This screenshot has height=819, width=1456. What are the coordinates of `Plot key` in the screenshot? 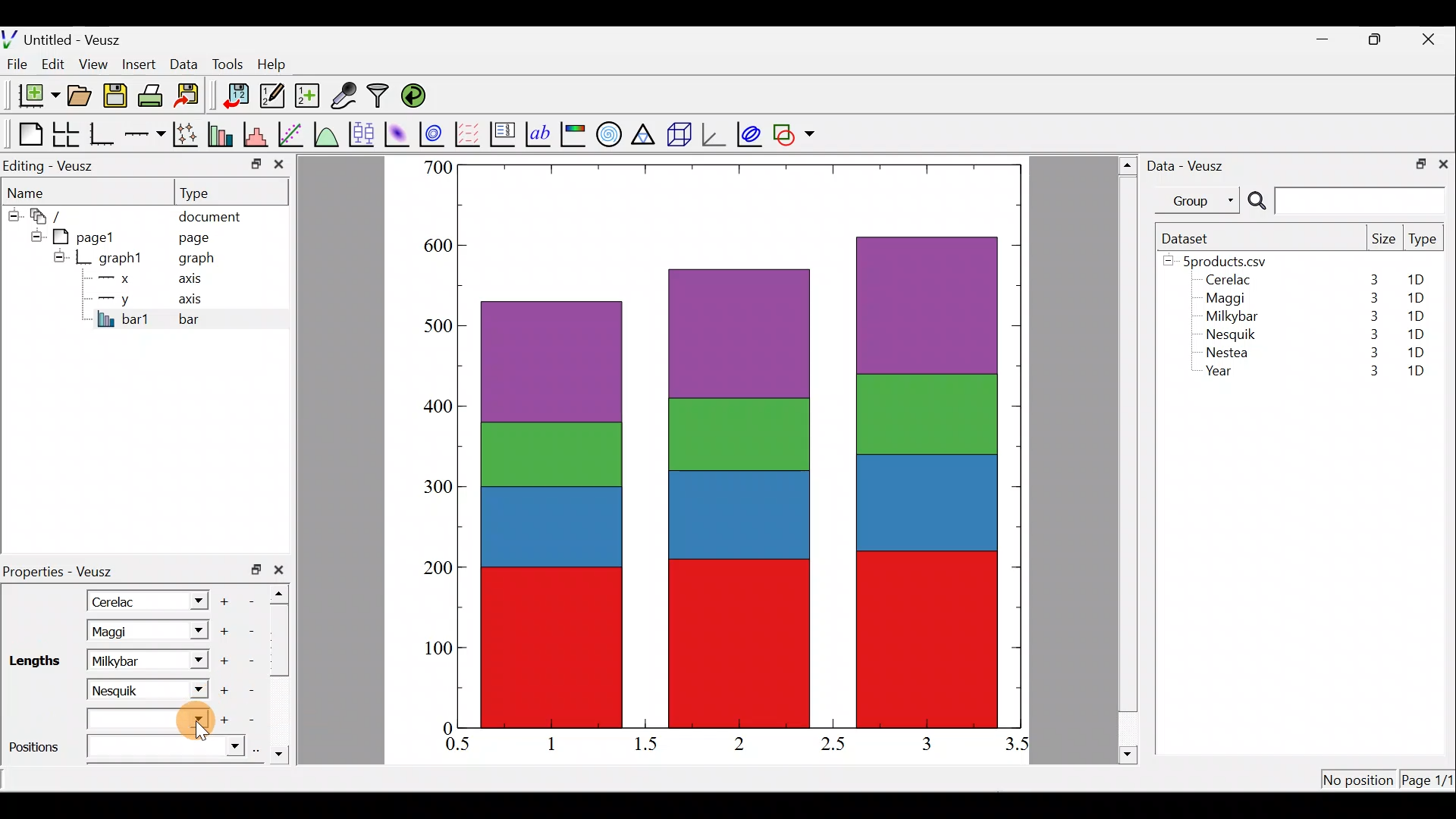 It's located at (504, 133).